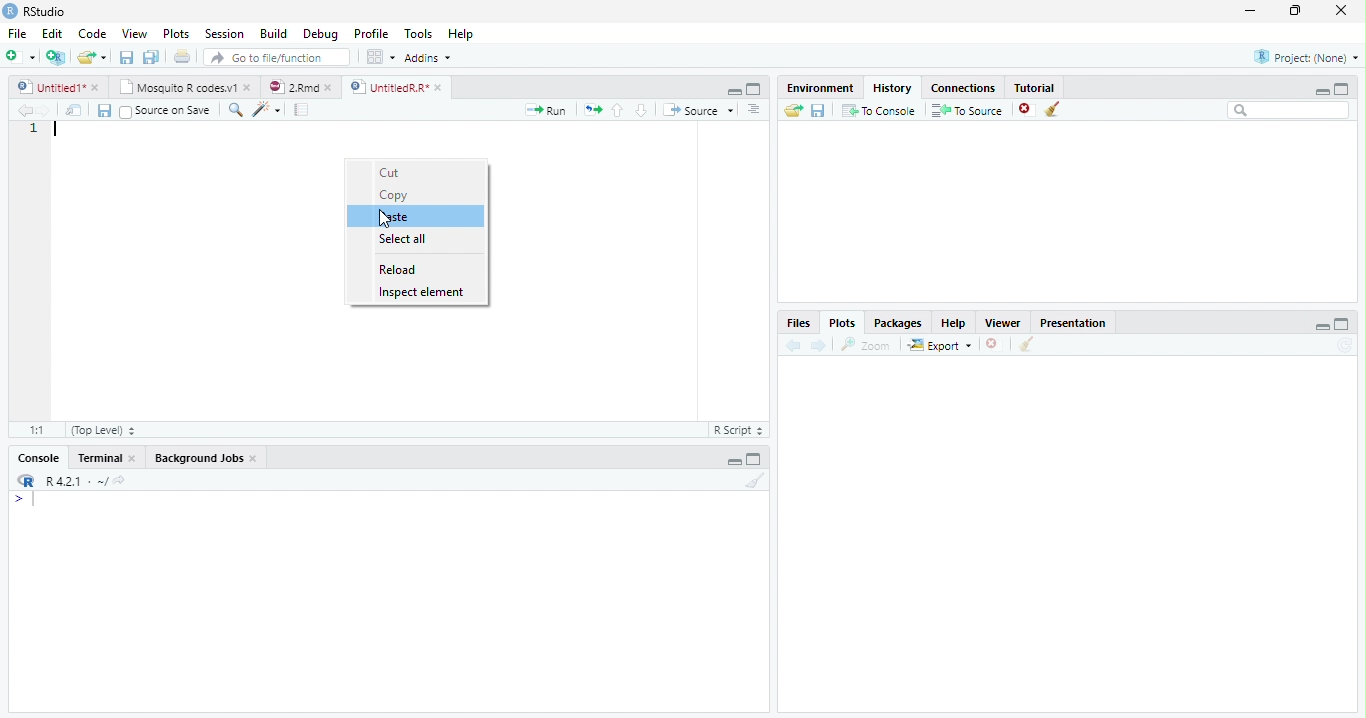 This screenshot has width=1366, height=718. Describe the element at coordinates (397, 217) in the screenshot. I see `Paste` at that location.